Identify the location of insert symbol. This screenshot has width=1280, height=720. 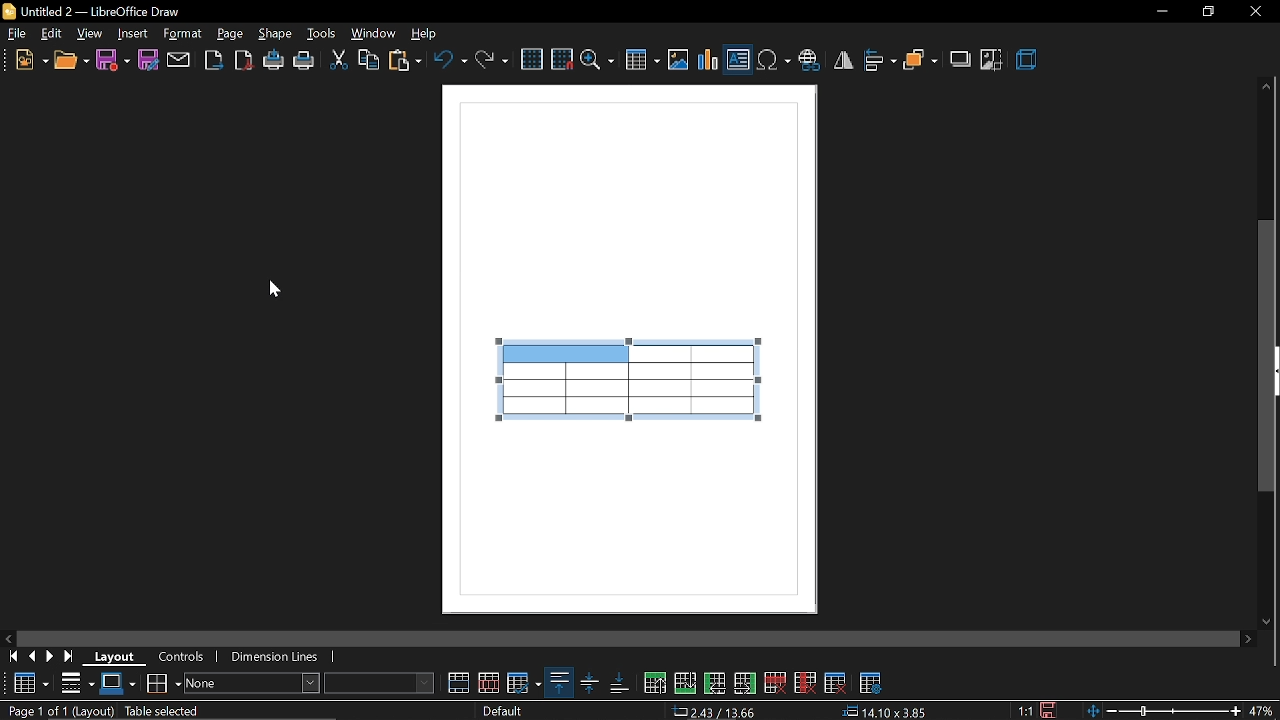
(773, 57).